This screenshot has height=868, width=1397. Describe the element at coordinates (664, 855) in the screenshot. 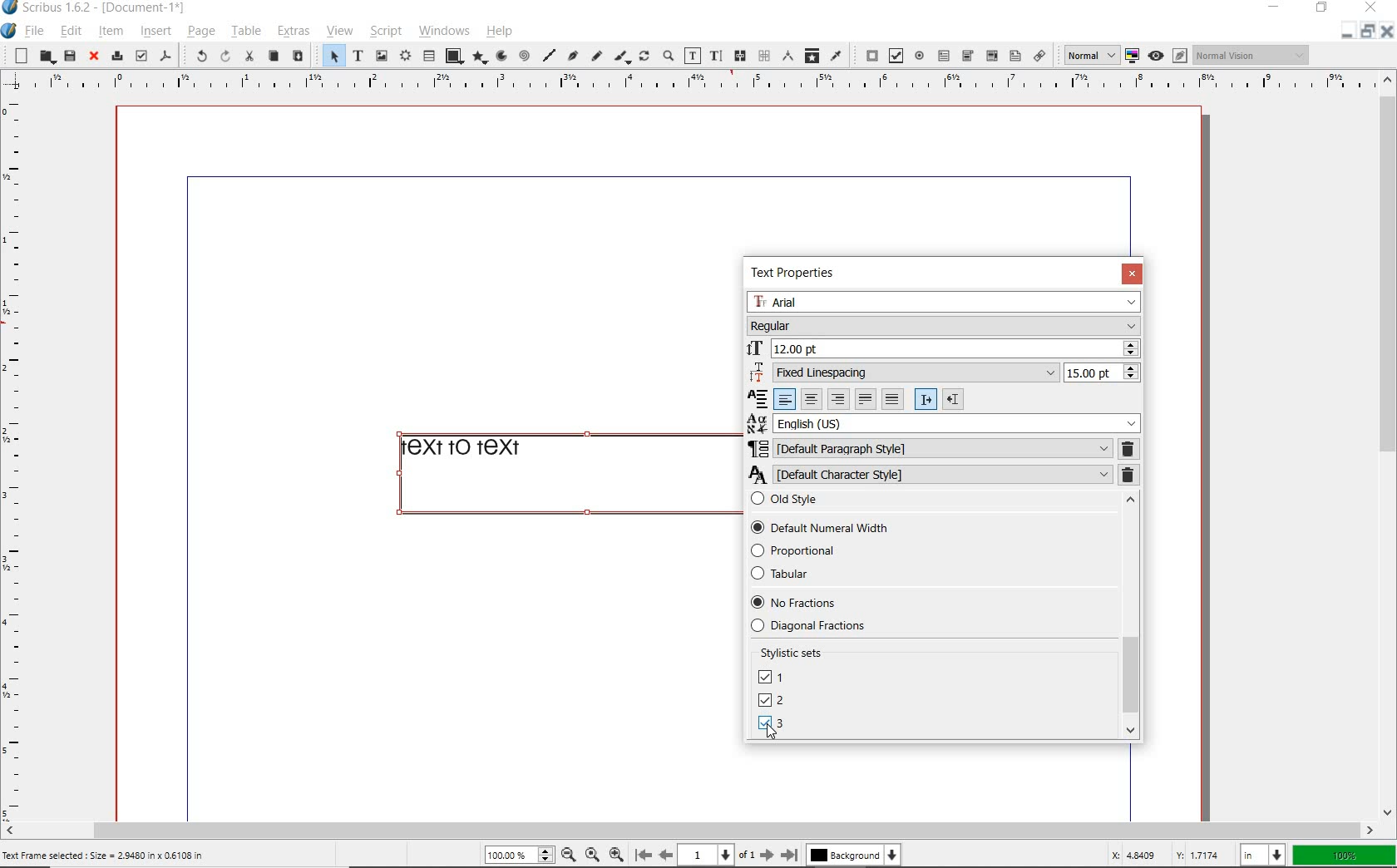

I see `Previous page` at that location.